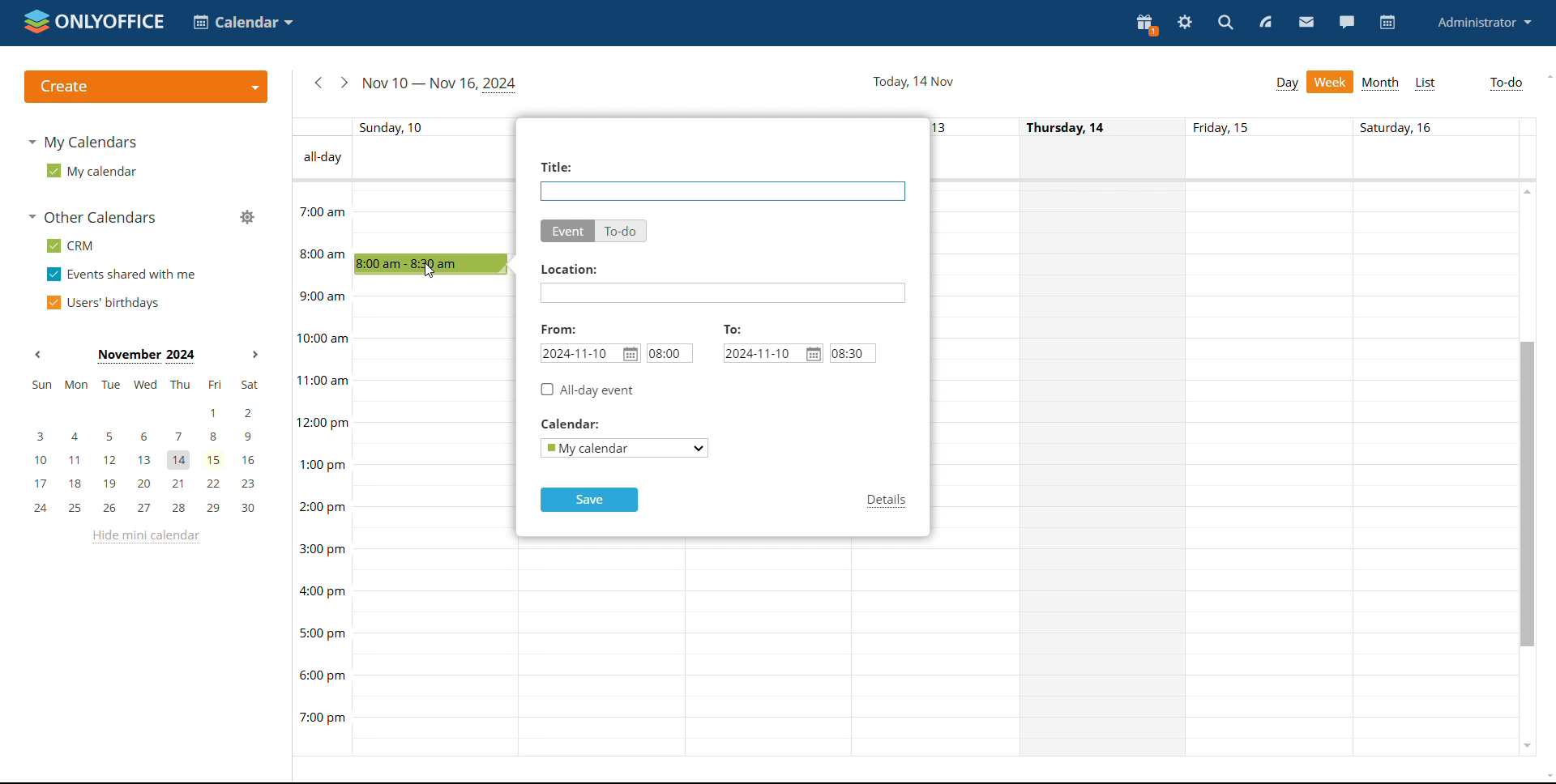 The height and width of the screenshot is (784, 1556). Describe the element at coordinates (725, 191) in the screenshot. I see `add title` at that location.